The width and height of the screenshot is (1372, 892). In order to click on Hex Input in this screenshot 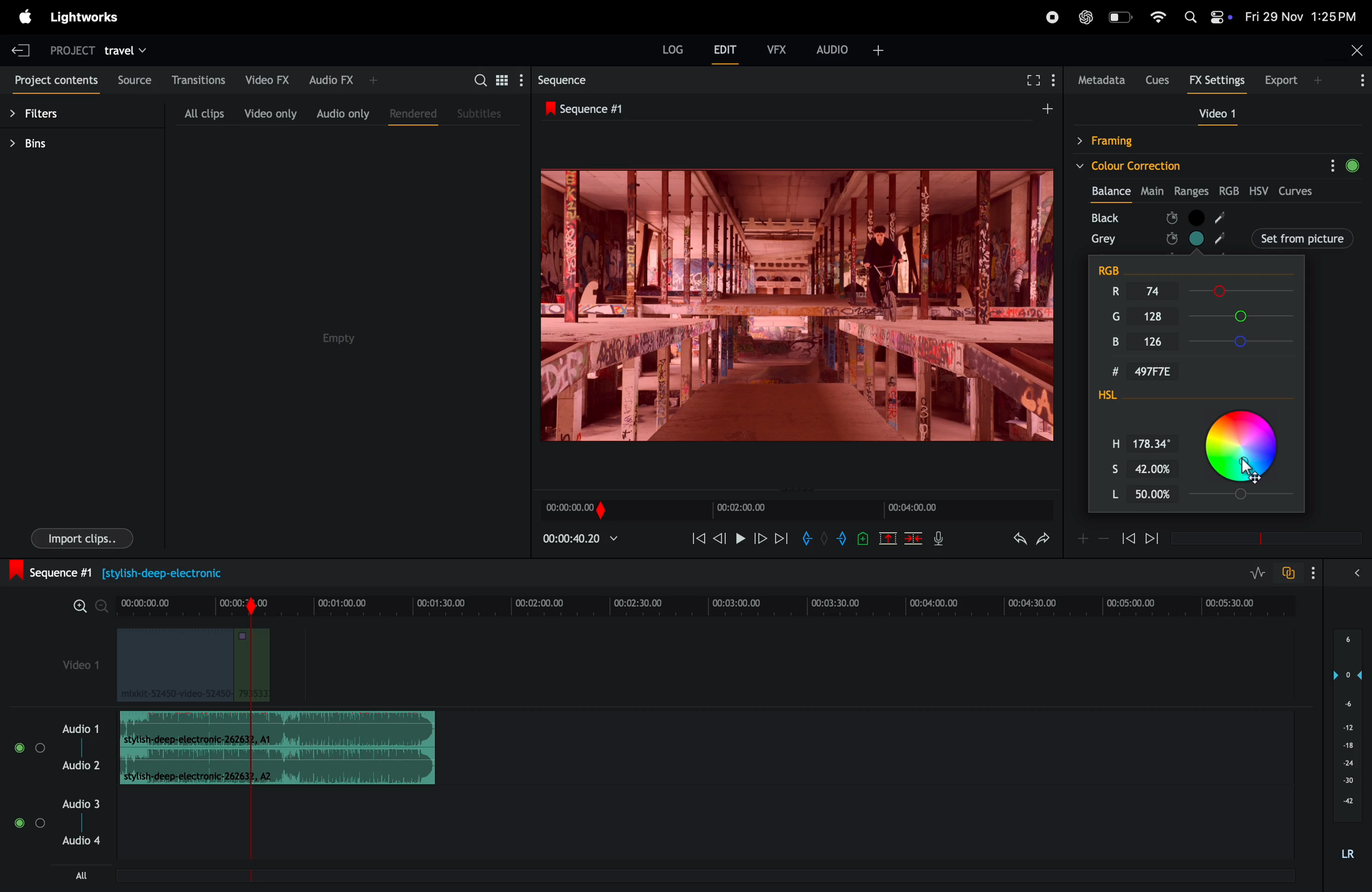, I will do `click(1159, 372)`.